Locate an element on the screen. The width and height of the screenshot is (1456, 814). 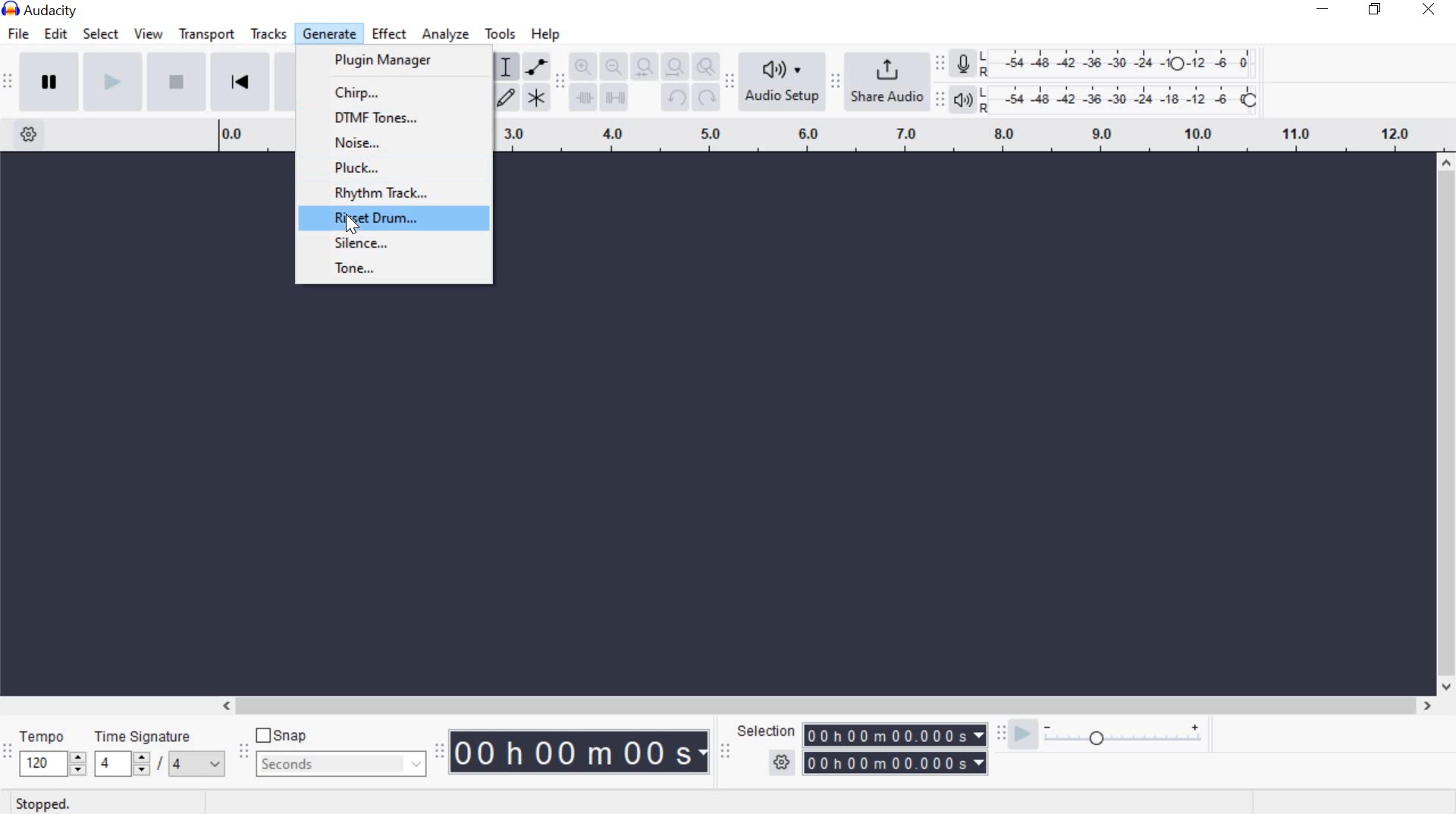
Looping Region is located at coordinates (975, 136).